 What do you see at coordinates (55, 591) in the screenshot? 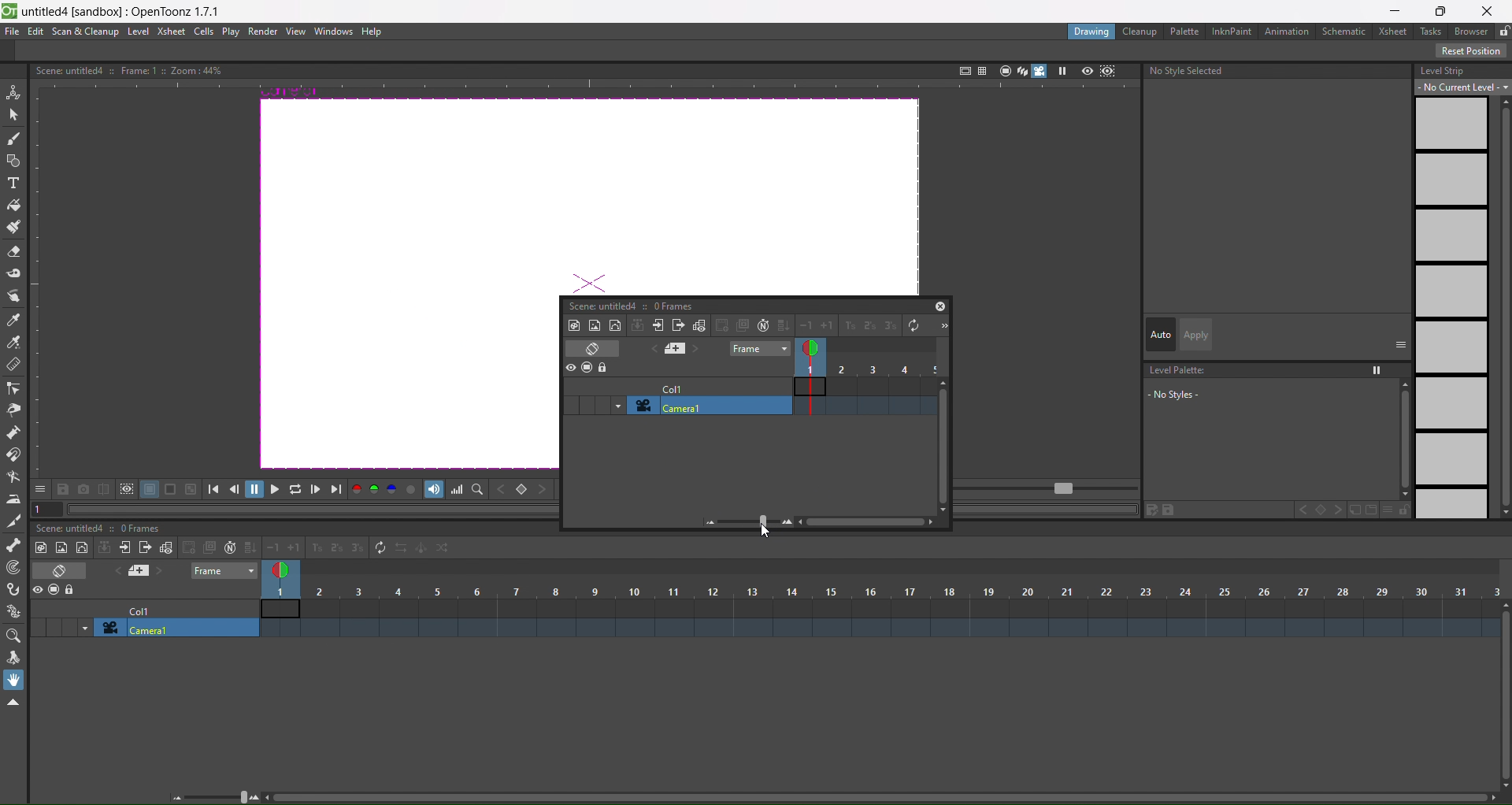
I see `icon` at bounding box center [55, 591].